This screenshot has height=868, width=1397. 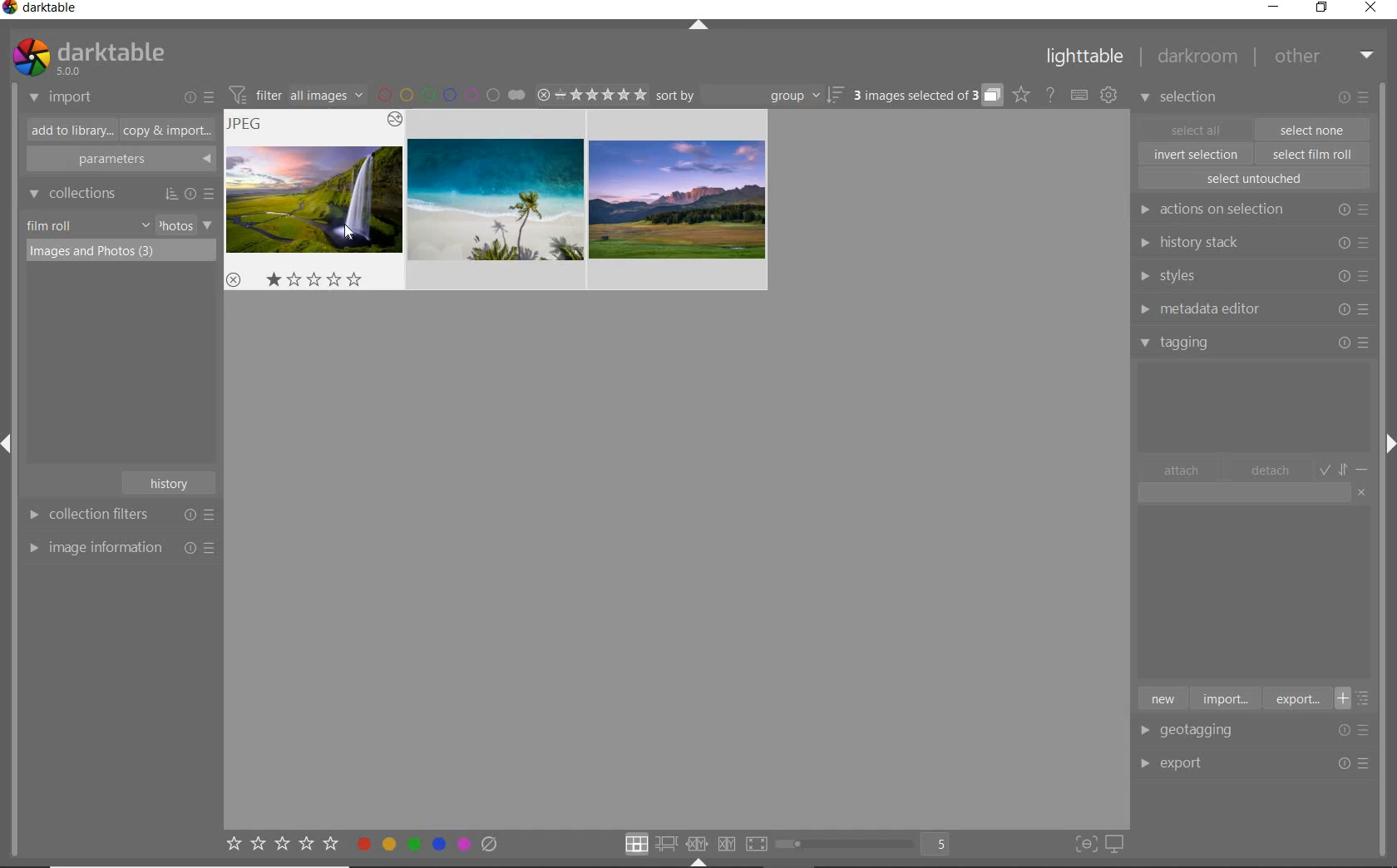 I want to click on film roll, so click(x=51, y=225).